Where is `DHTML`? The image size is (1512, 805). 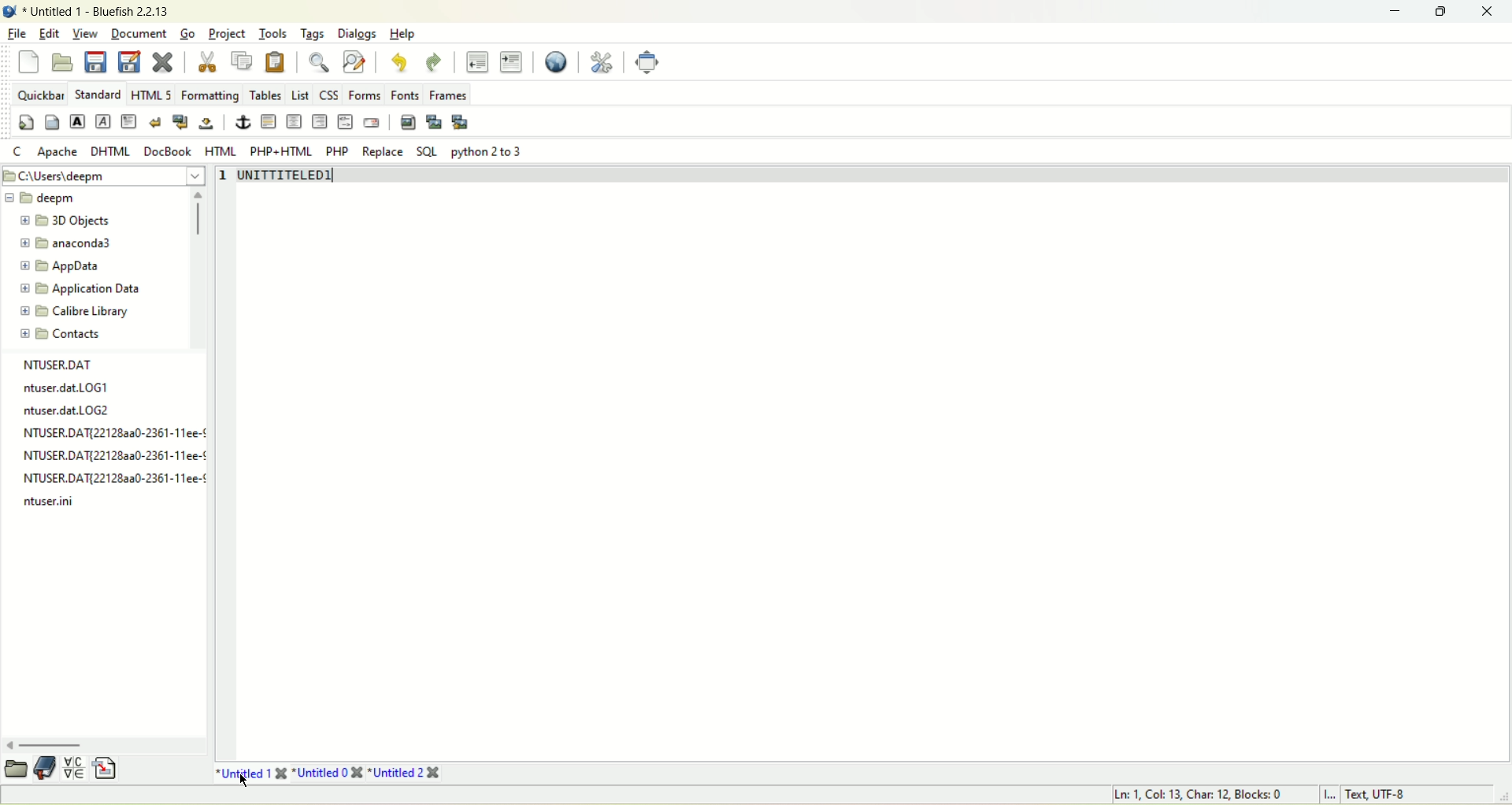 DHTML is located at coordinates (109, 153).